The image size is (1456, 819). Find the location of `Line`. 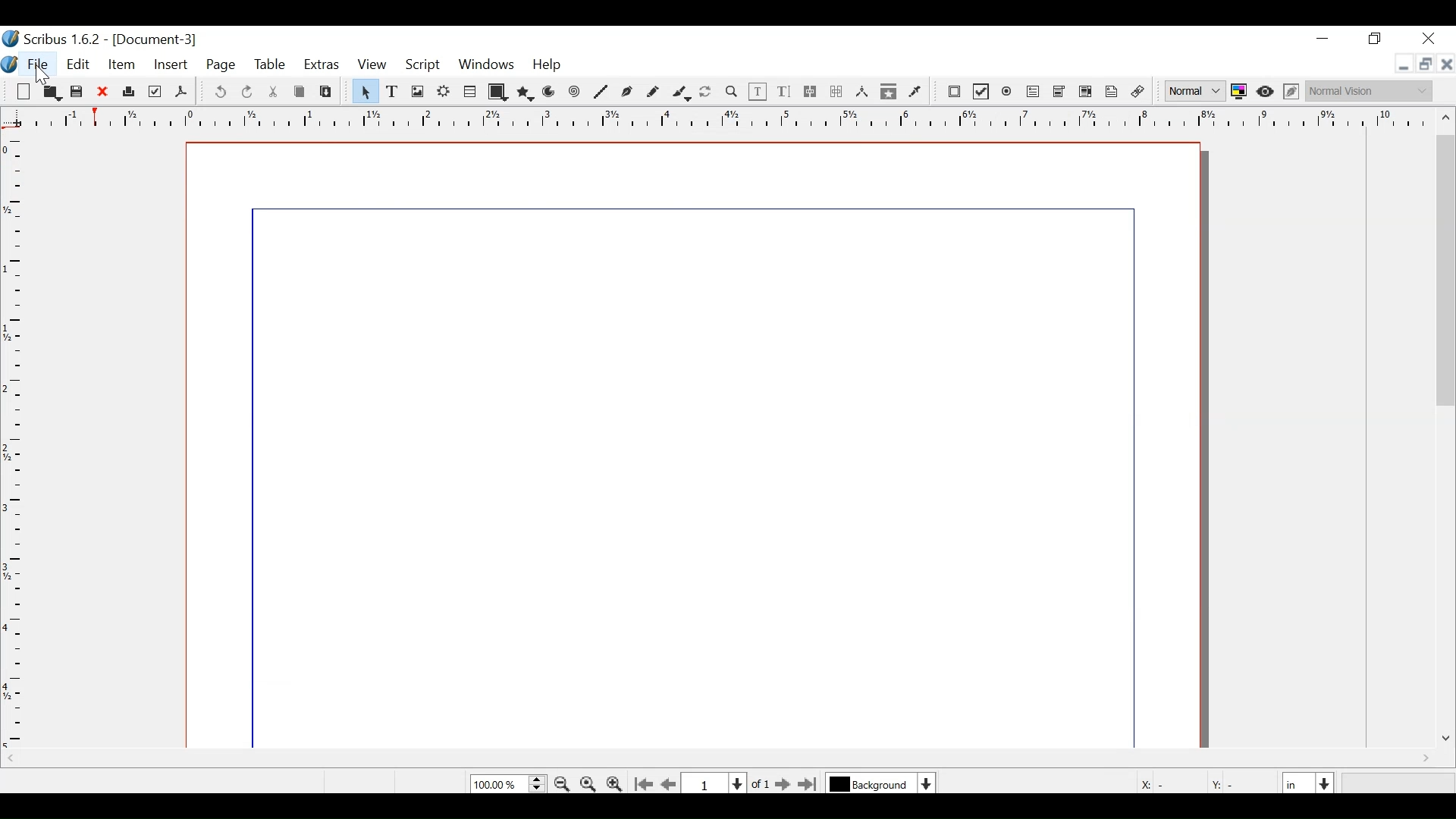

Line is located at coordinates (602, 93).